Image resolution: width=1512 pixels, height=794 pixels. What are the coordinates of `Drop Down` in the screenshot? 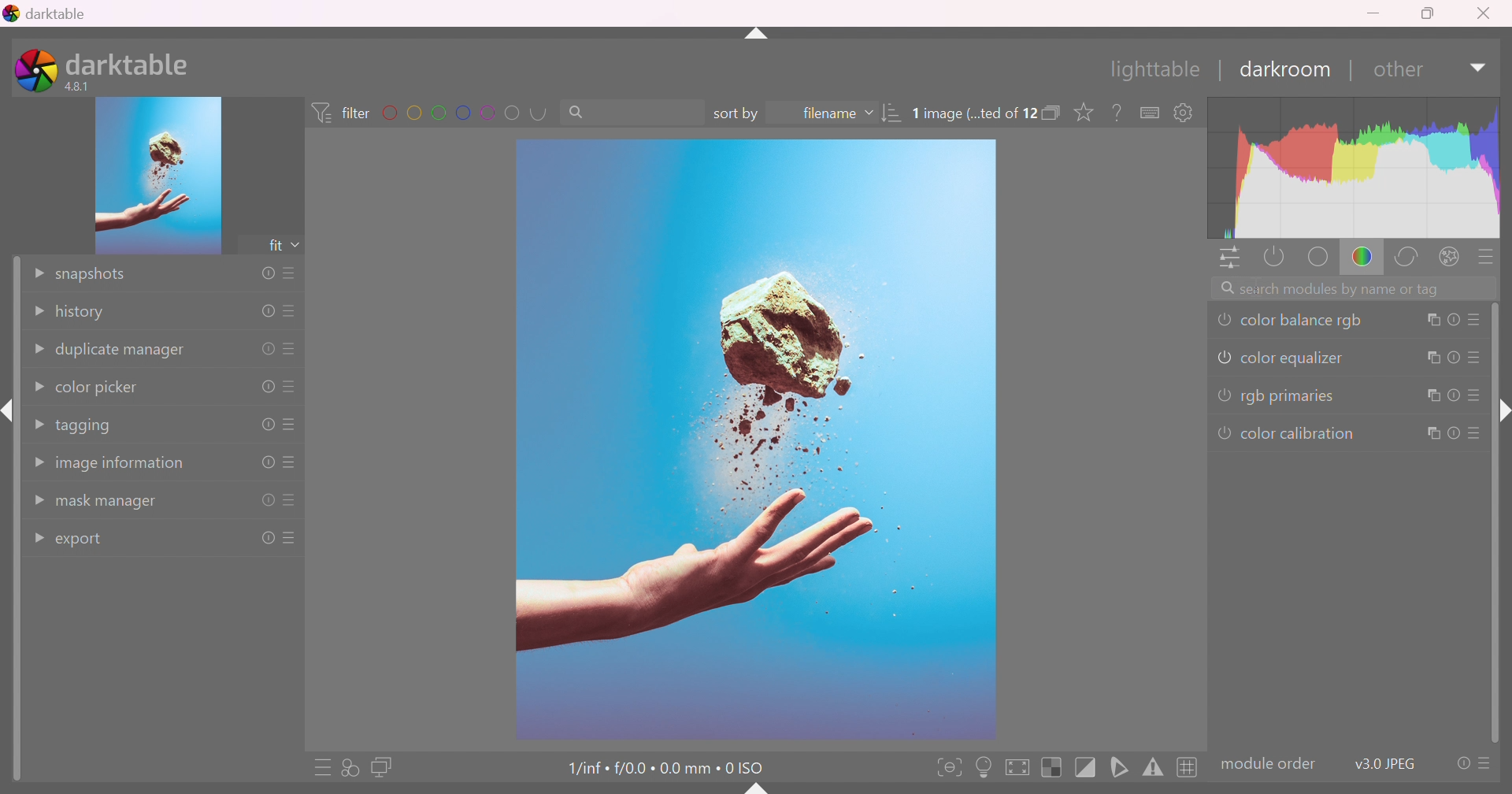 It's located at (41, 462).